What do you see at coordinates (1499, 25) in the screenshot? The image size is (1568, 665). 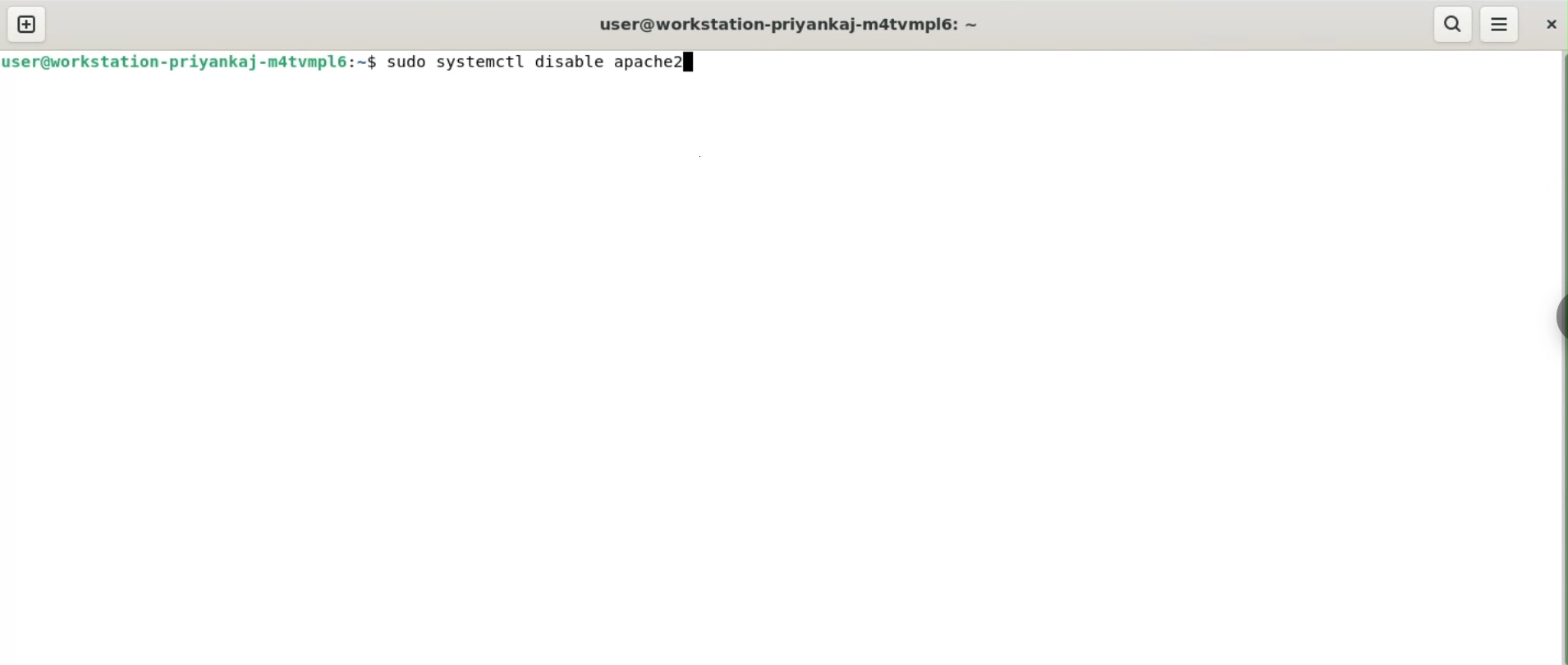 I see `more options` at bounding box center [1499, 25].